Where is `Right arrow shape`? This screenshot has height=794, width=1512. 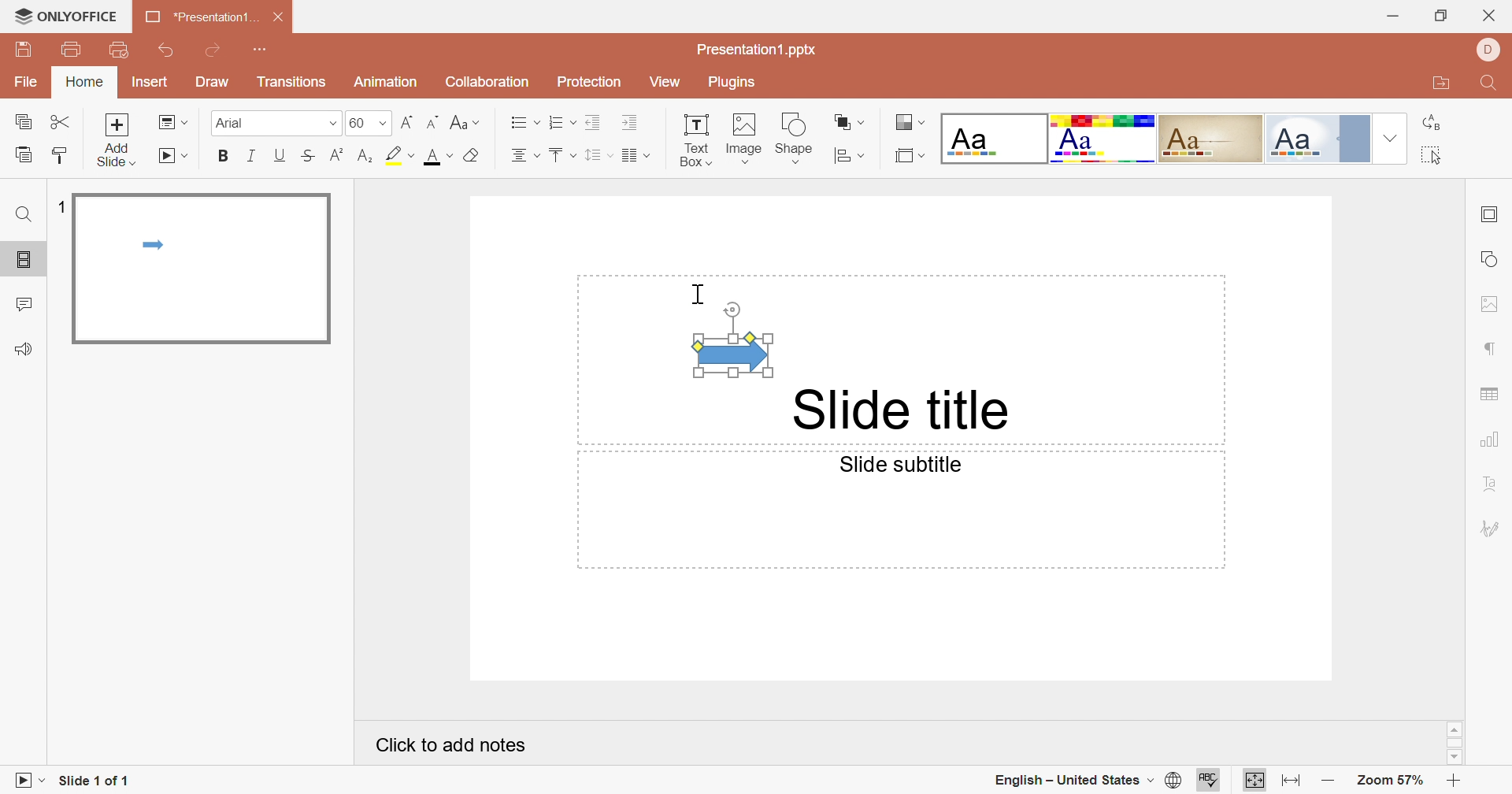
Right arrow shape is located at coordinates (732, 339).